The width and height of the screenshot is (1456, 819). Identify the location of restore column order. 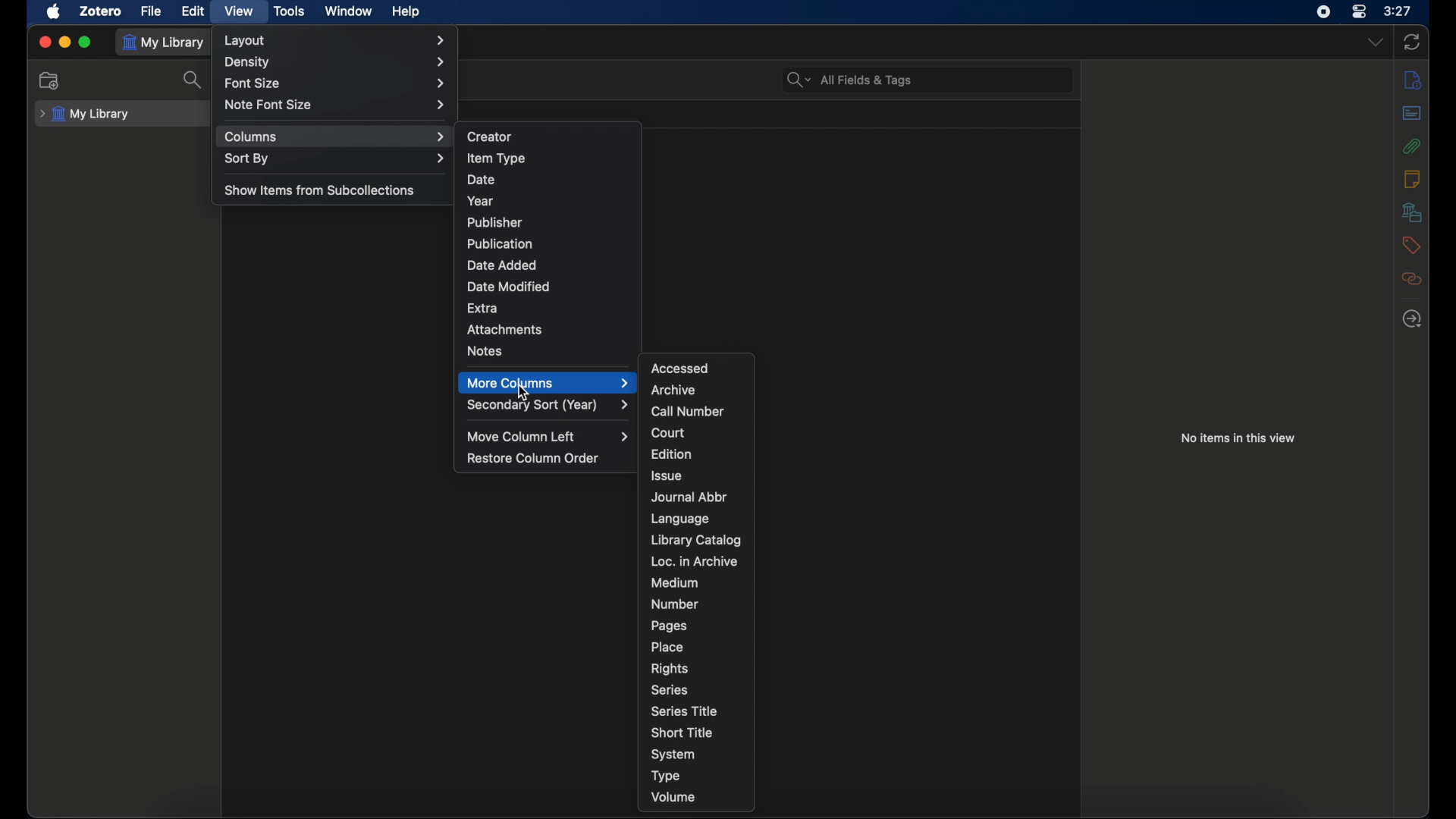
(534, 459).